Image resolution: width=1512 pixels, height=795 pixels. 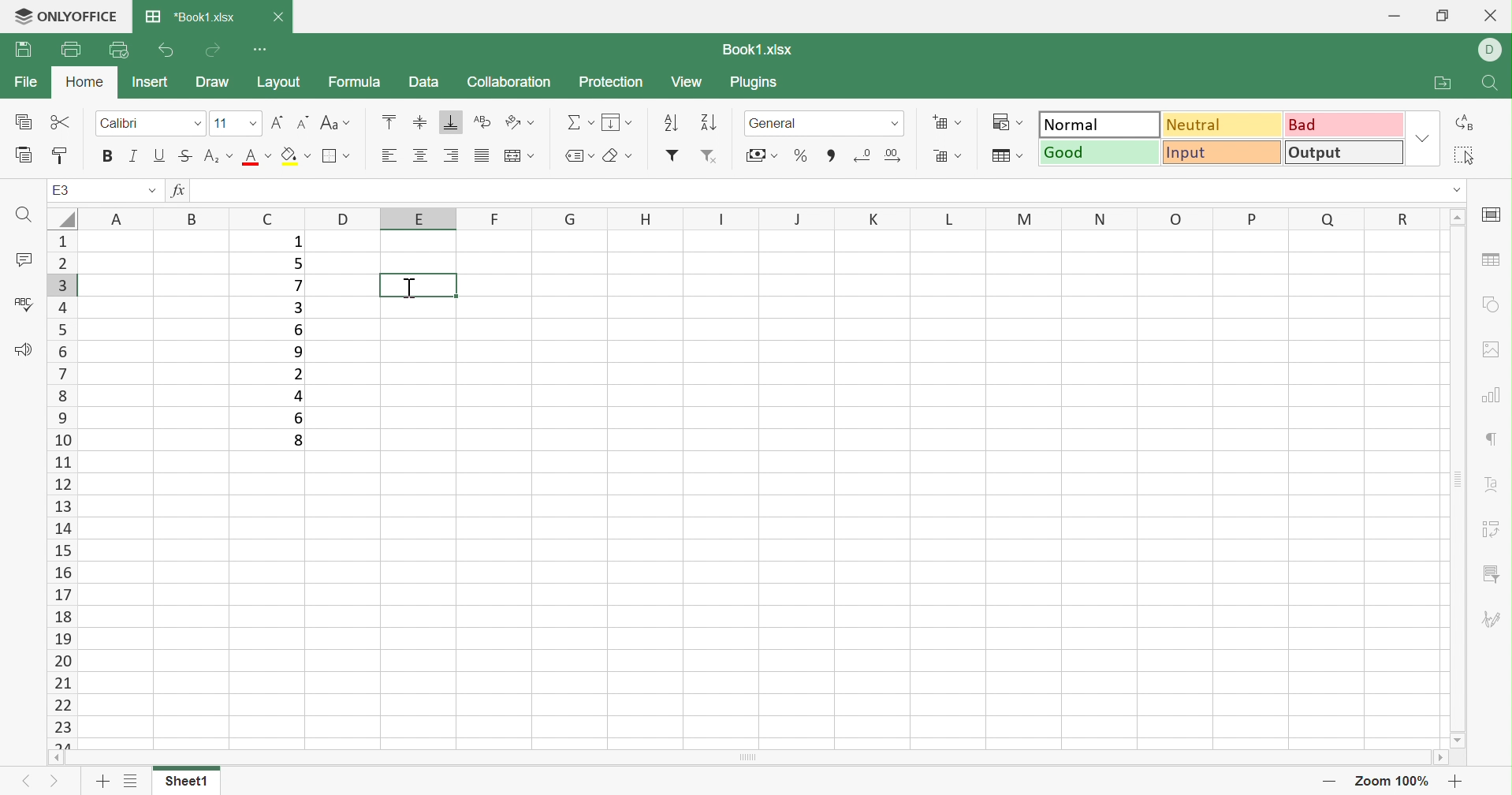 What do you see at coordinates (1491, 619) in the screenshot?
I see `Signature settings` at bounding box center [1491, 619].